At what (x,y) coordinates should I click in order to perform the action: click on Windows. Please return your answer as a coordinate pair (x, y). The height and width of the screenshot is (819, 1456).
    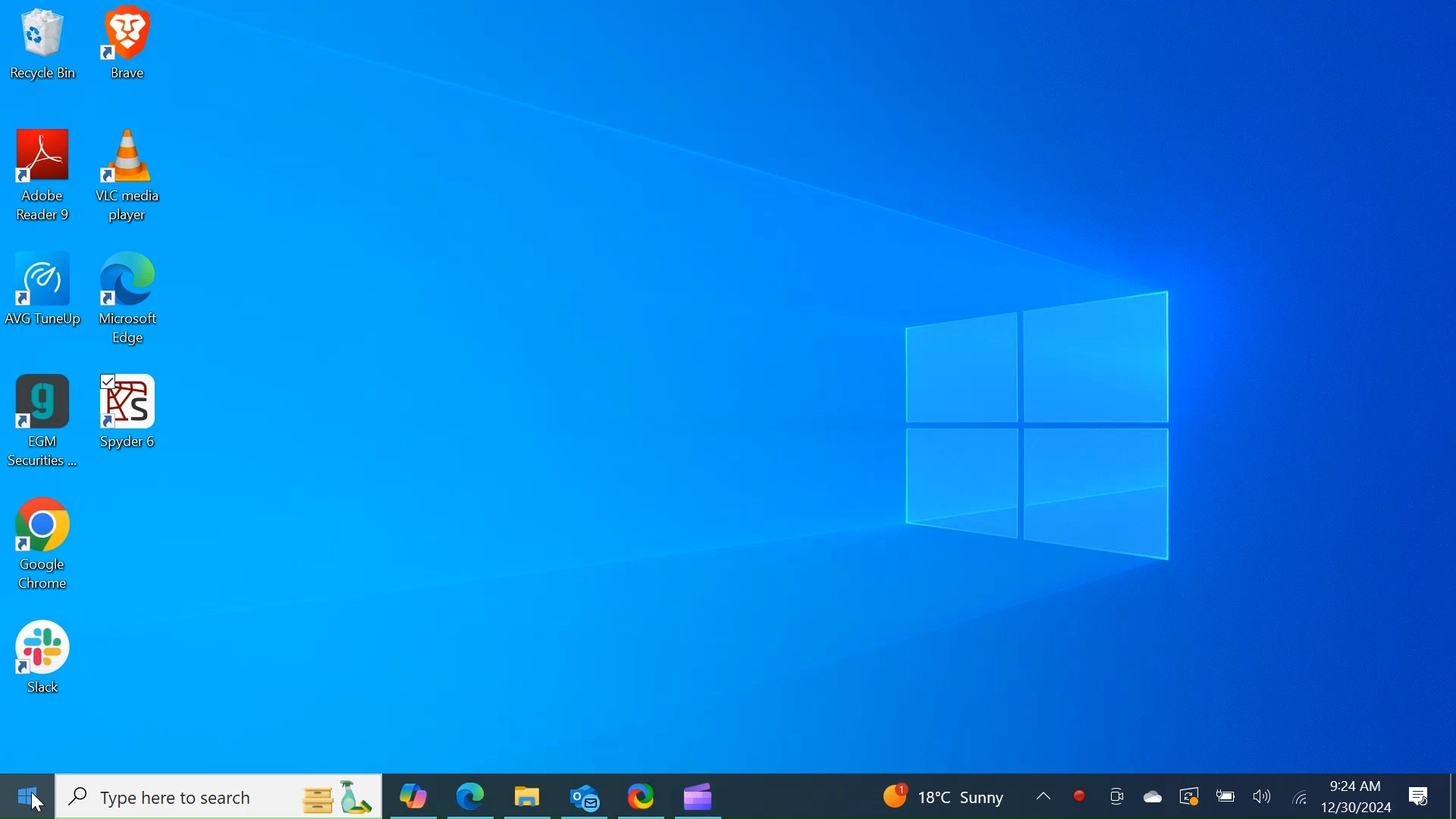
    Looking at the image, I should click on (26, 798).